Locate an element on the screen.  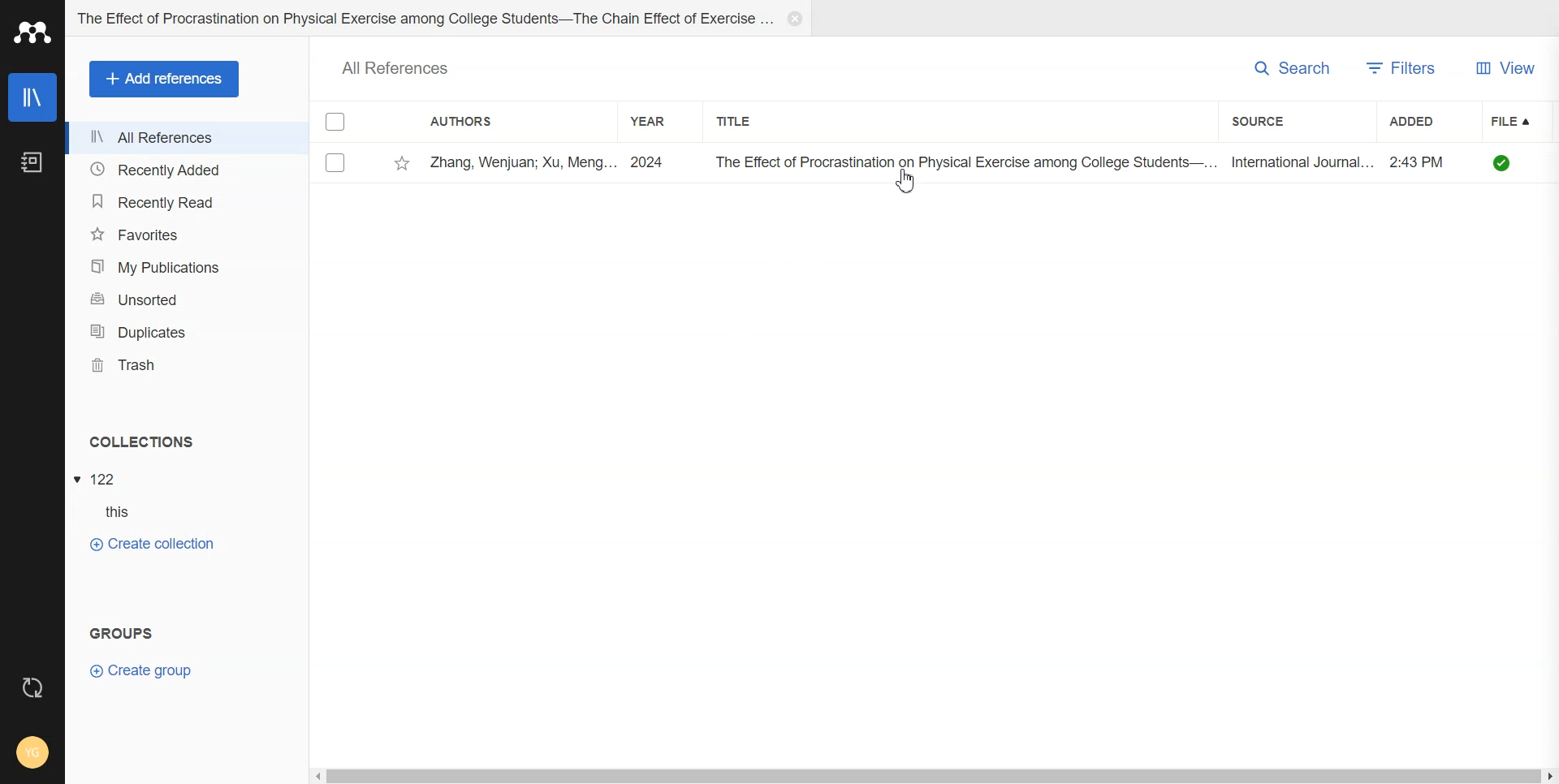
Account is located at coordinates (32, 752).